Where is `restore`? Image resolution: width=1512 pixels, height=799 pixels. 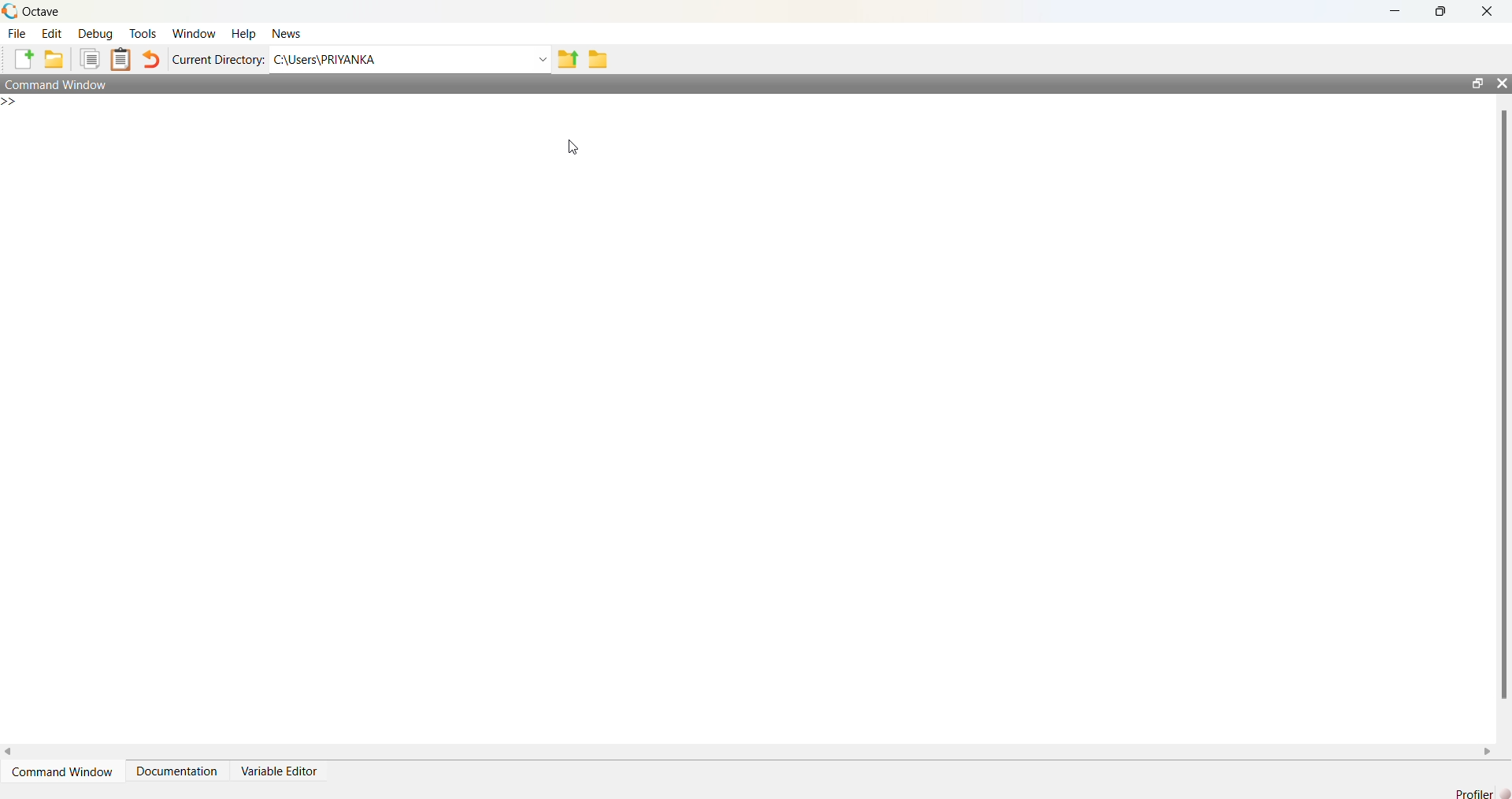 restore is located at coordinates (1480, 84).